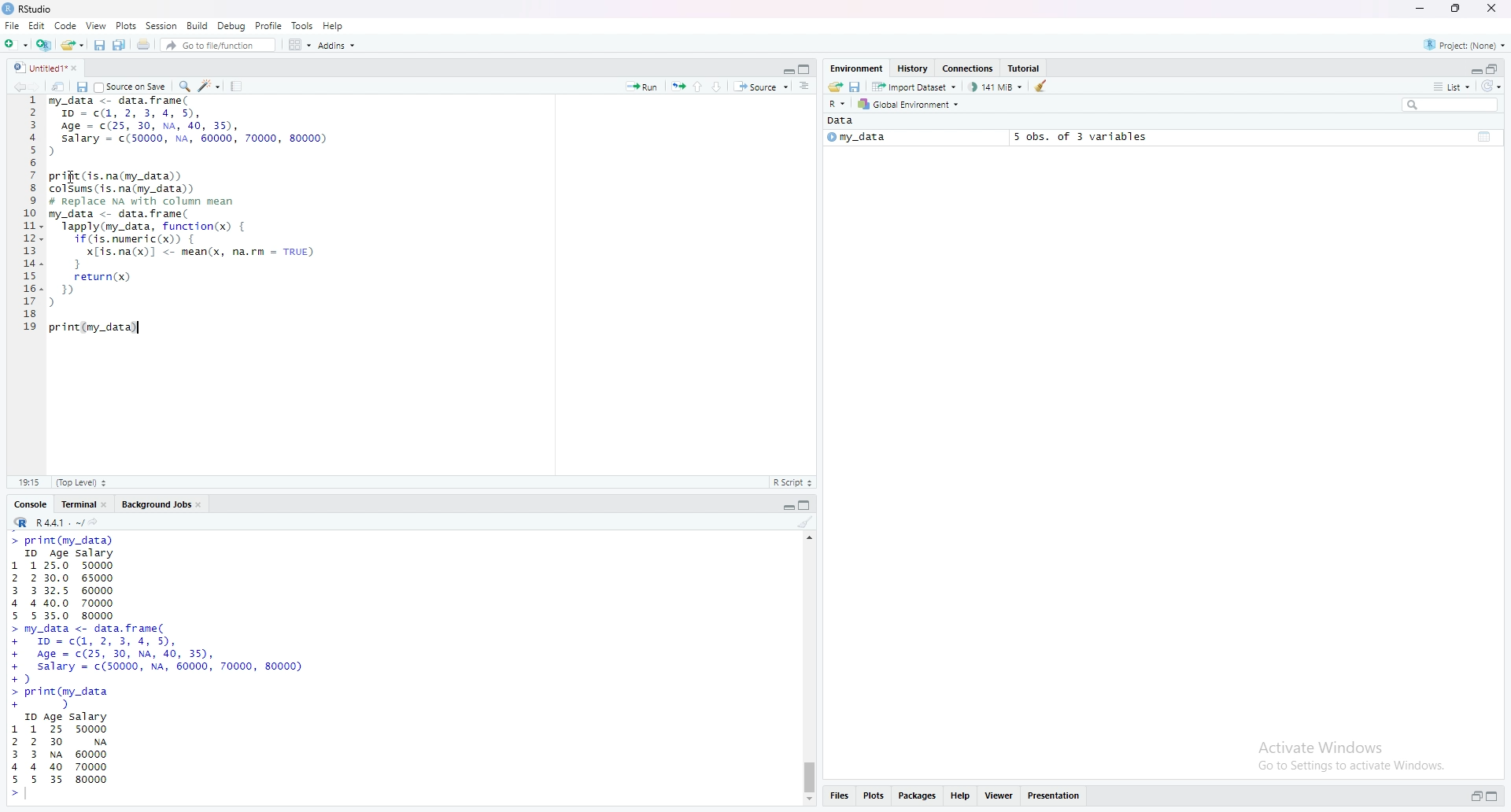 Image resolution: width=1511 pixels, height=812 pixels. What do you see at coordinates (918, 88) in the screenshot?
I see `import dataset` at bounding box center [918, 88].